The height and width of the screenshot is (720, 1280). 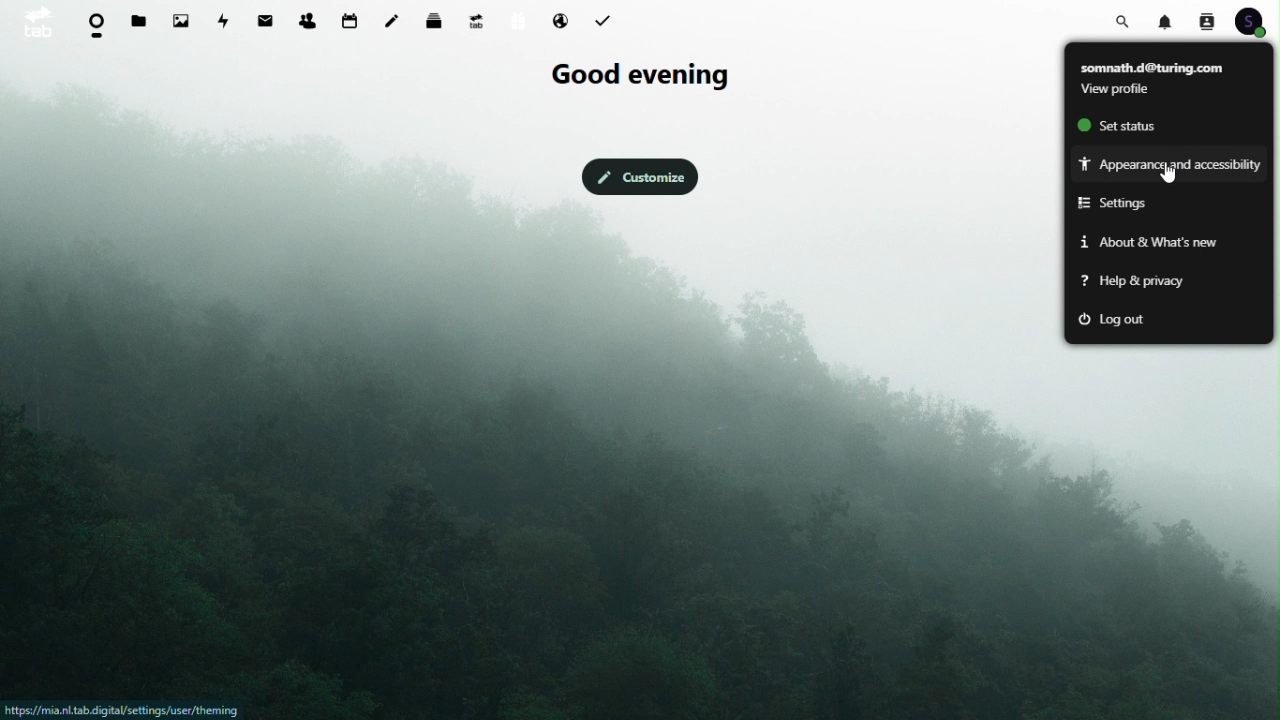 I want to click on Appearance and visibility, so click(x=1169, y=162).